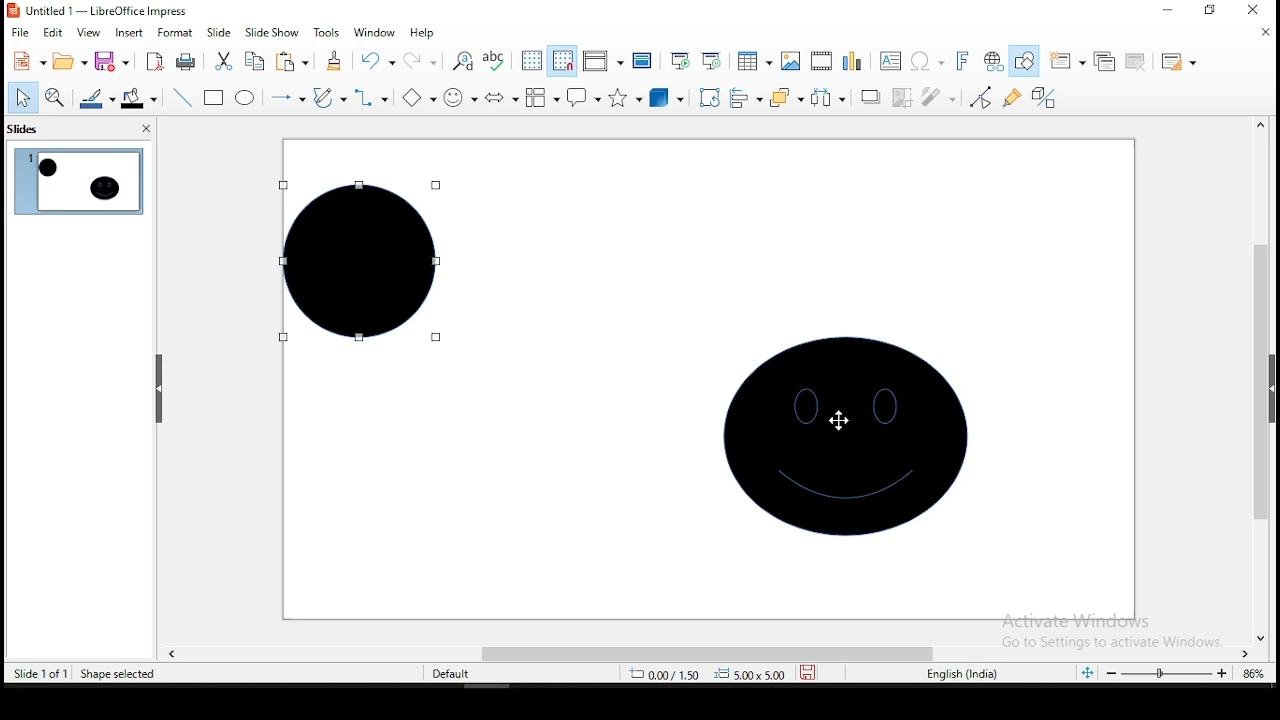 The width and height of the screenshot is (1280, 720). What do you see at coordinates (892, 60) in the screenshot?
I see `text box` at bounding box center [892, 60].